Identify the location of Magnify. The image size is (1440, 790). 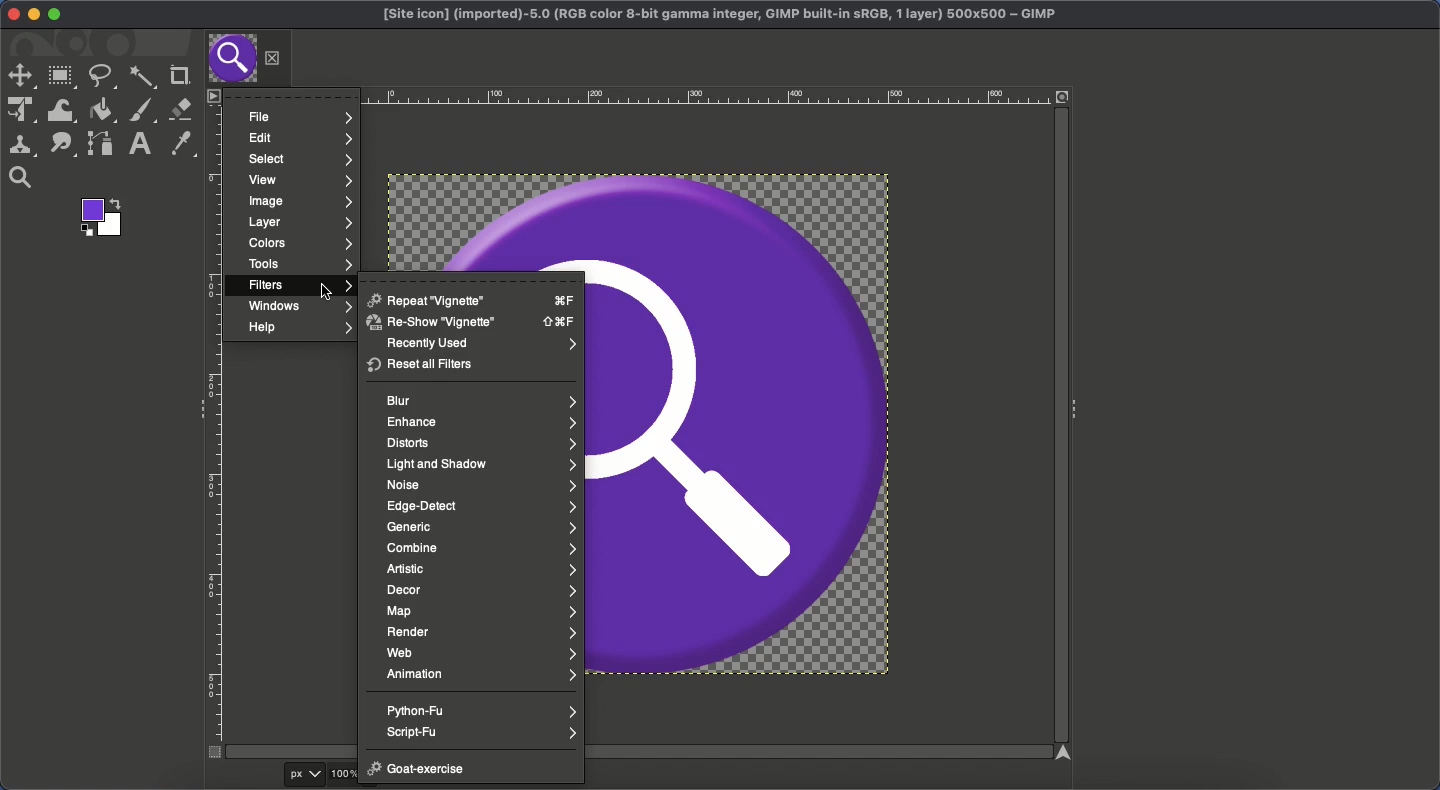
(21, 178).